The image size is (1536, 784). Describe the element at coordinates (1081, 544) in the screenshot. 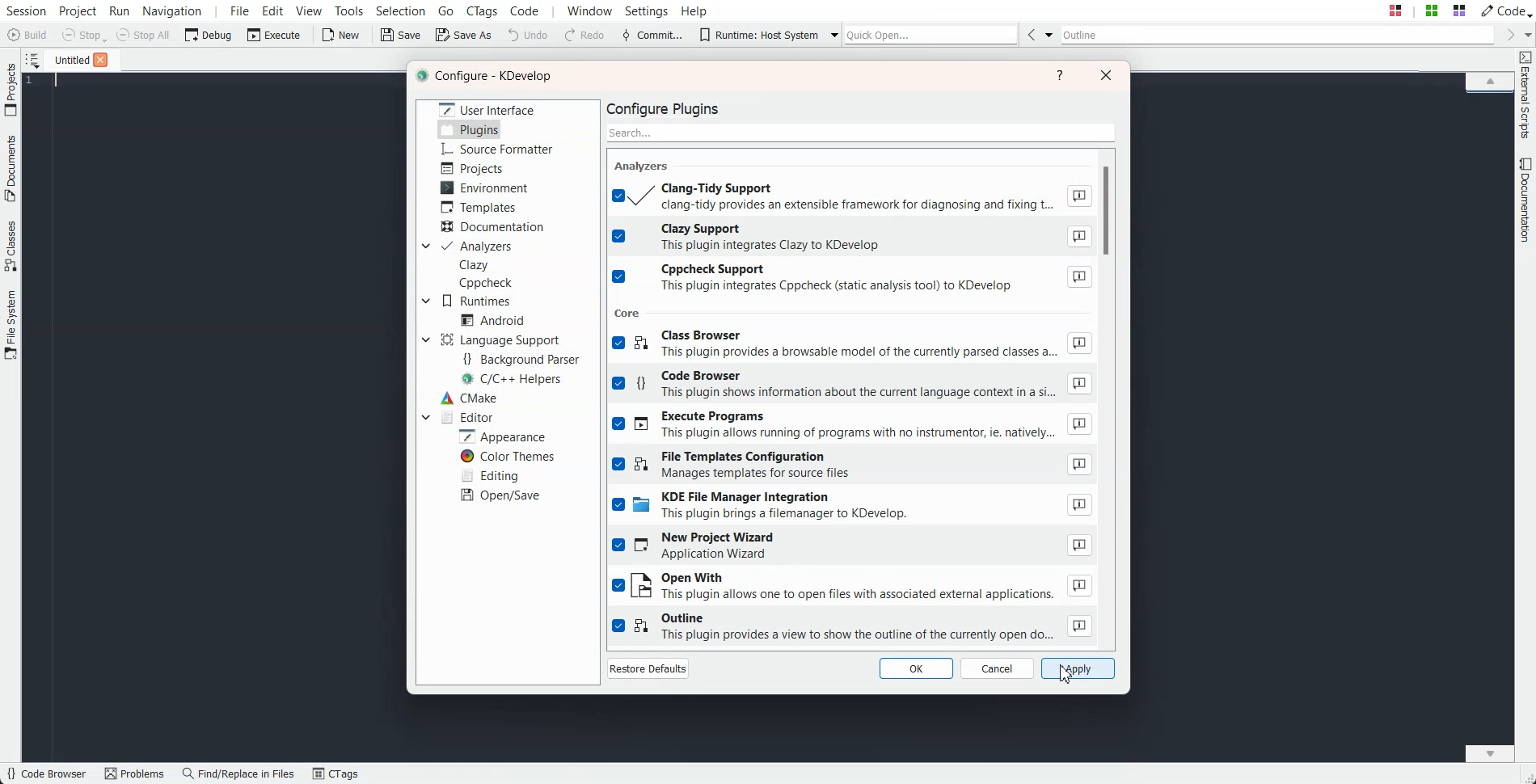

I see `About` at that location.